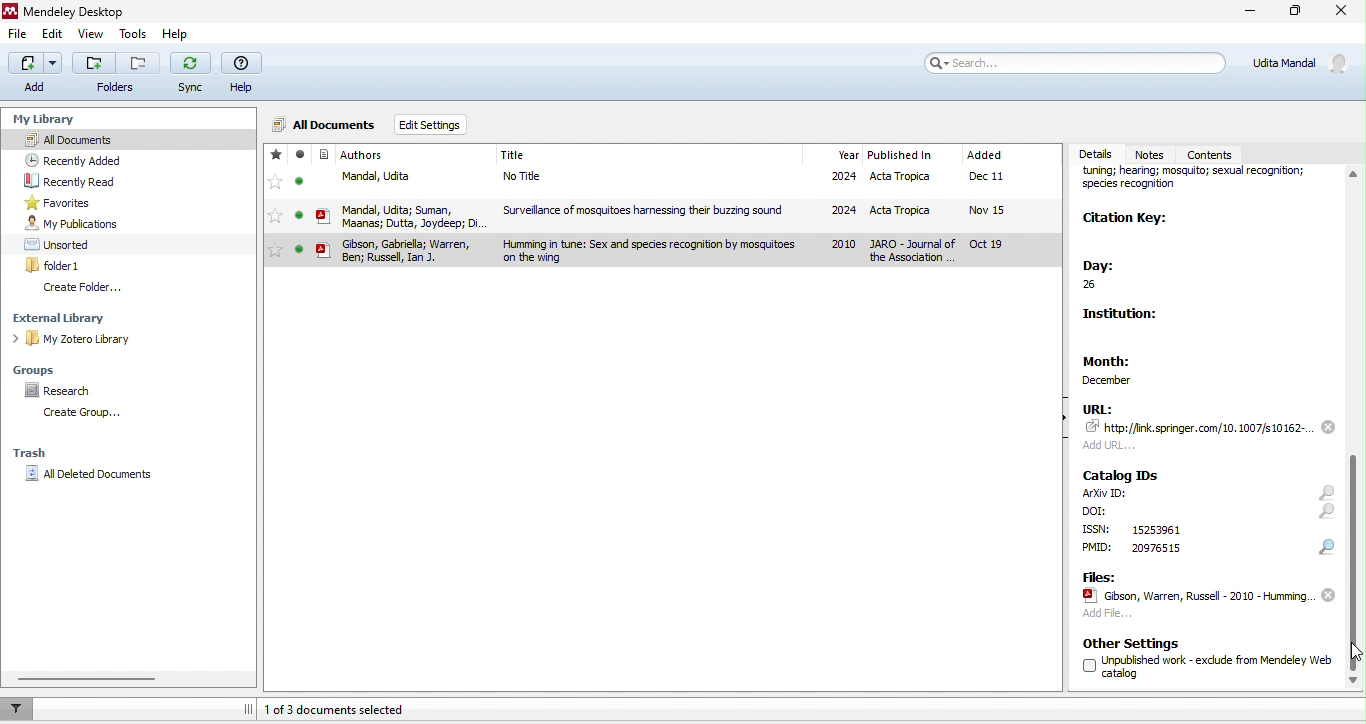 This screenshot has width=1366, height=724. What do you see at coordinates (18, 37) in the screenshot?
I see `file` at bounding box center [18, 37].